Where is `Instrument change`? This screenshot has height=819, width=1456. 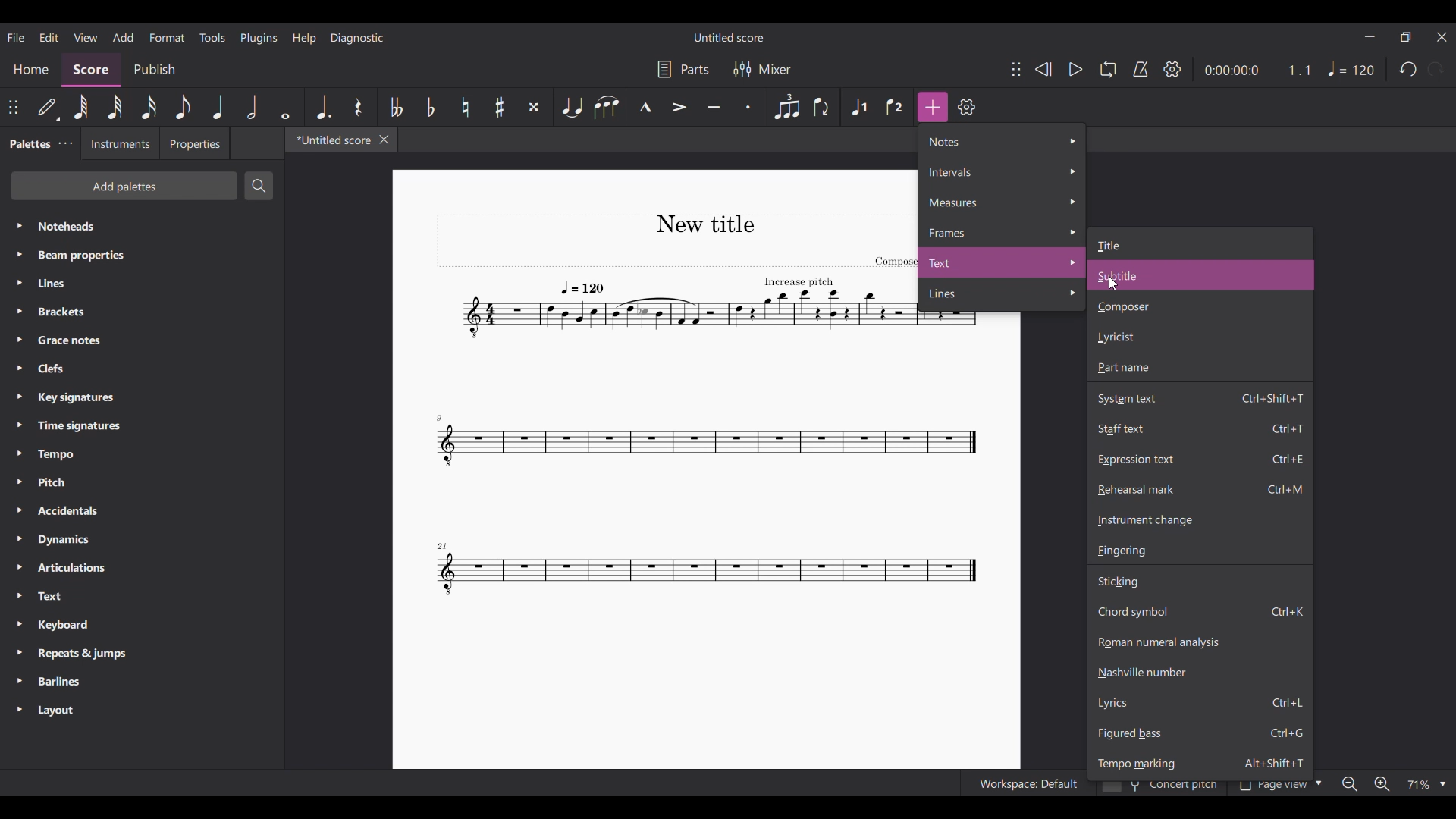 Instrument change is located at coordinates (1200, 519).